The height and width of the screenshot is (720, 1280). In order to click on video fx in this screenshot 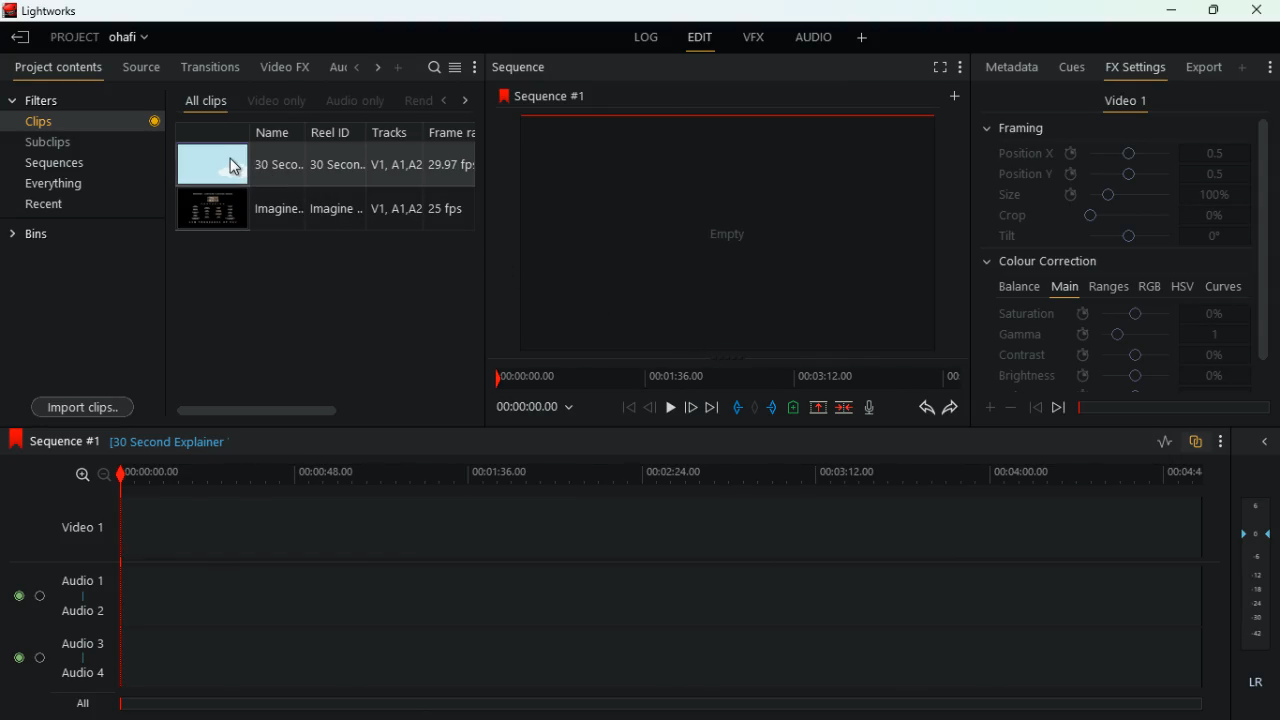, I will do `click(282, 68)`.